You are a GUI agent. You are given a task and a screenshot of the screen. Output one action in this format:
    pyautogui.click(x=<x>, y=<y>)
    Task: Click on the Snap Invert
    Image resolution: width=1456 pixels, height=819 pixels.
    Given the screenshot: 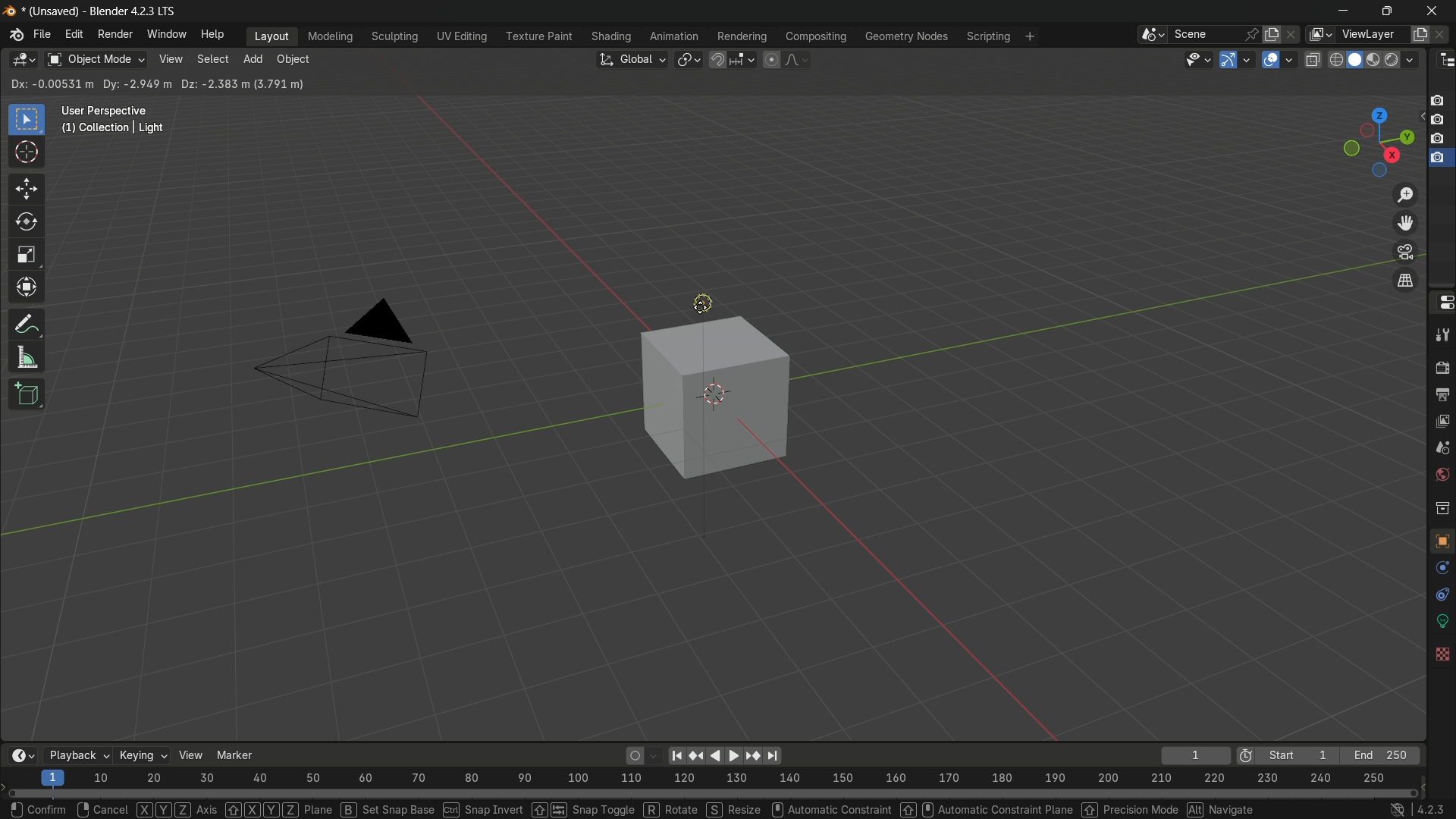 What is the action you would take?
    pyautogui.click(x=482, y=808)
    